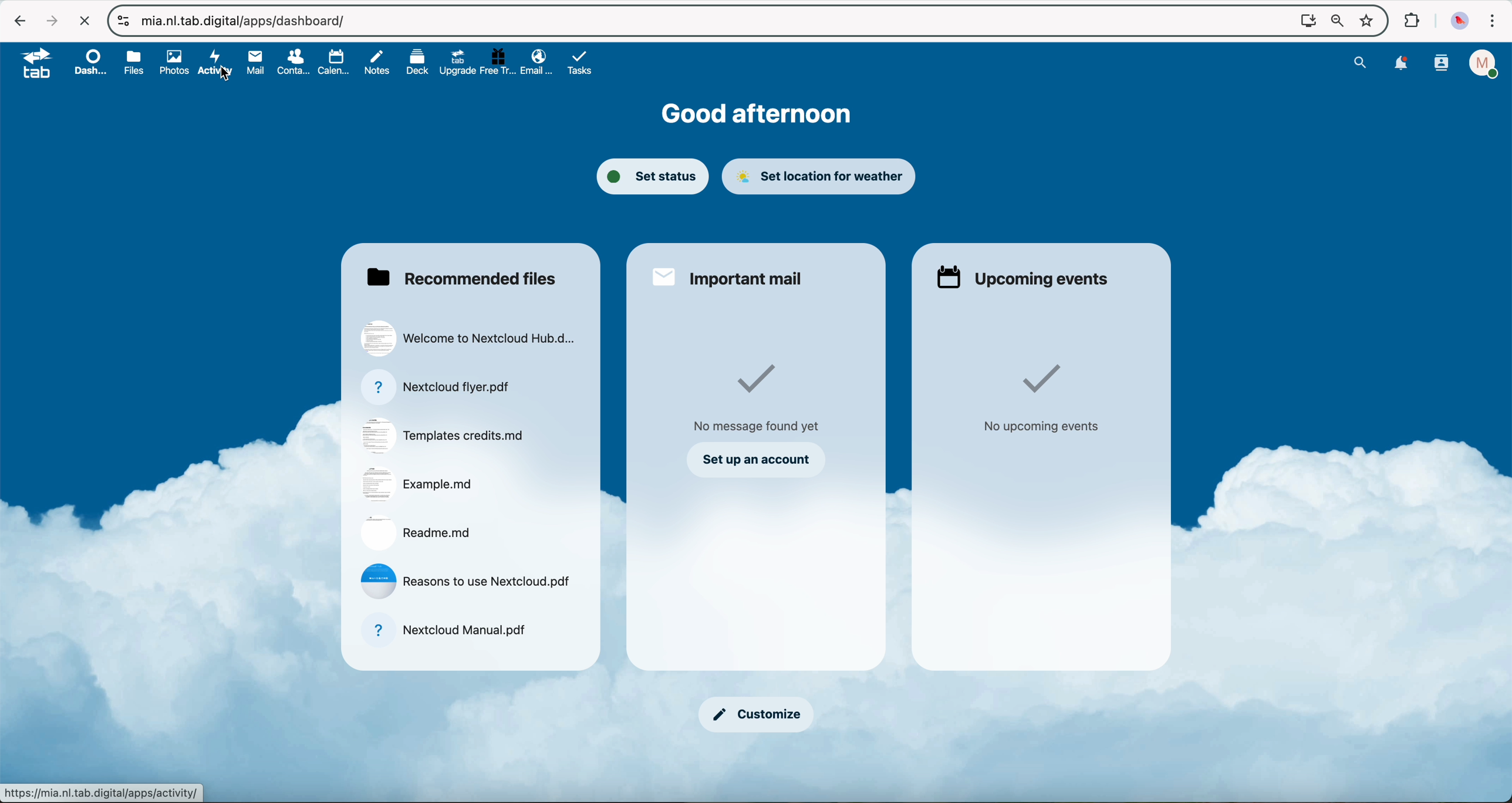 The height and width of the screenshot is (803, 1512). I want to click on contacts, so click(289, 63).